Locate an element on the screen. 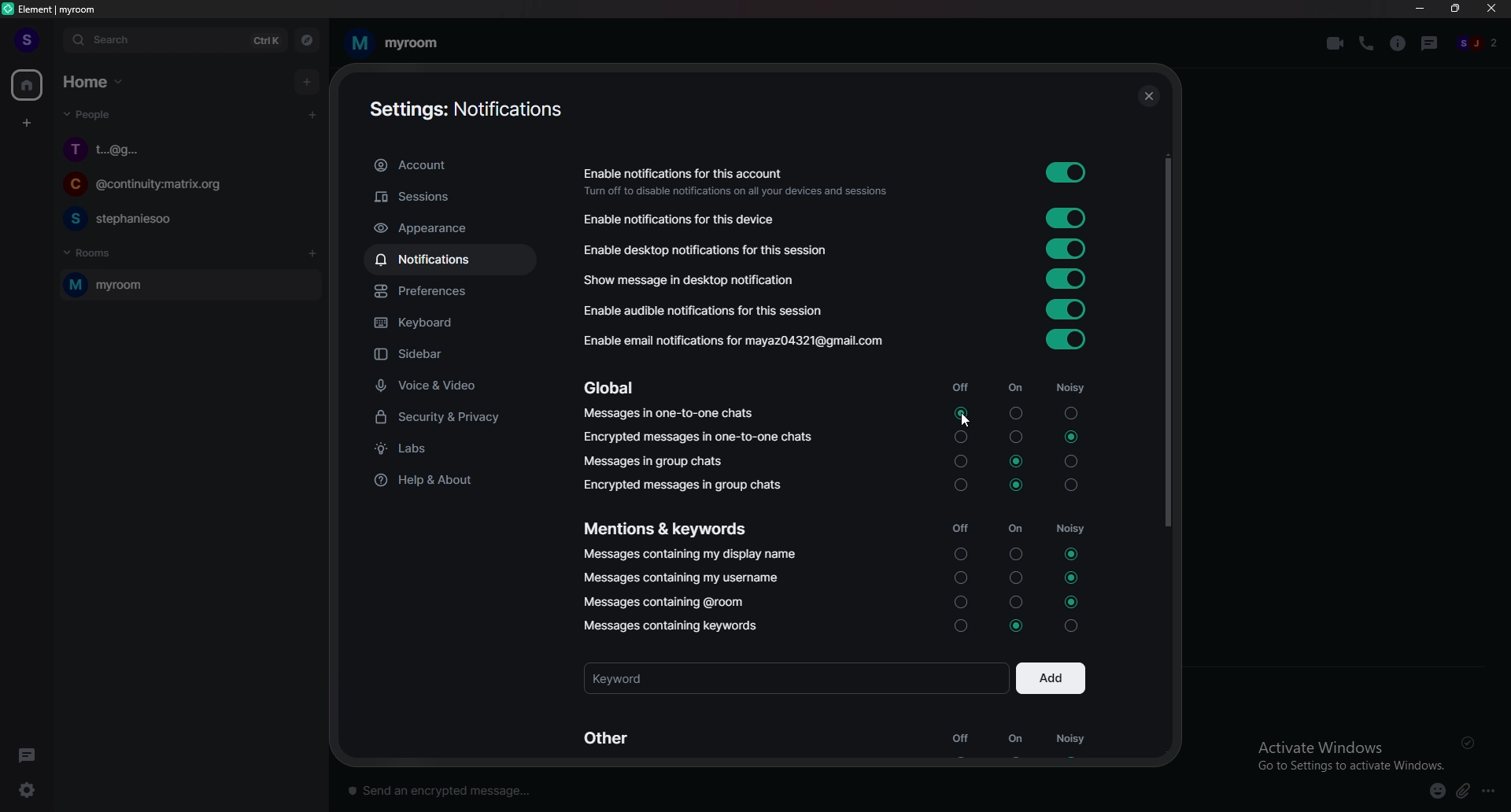  enable notifications for this account is located at coordinates (737, 183).